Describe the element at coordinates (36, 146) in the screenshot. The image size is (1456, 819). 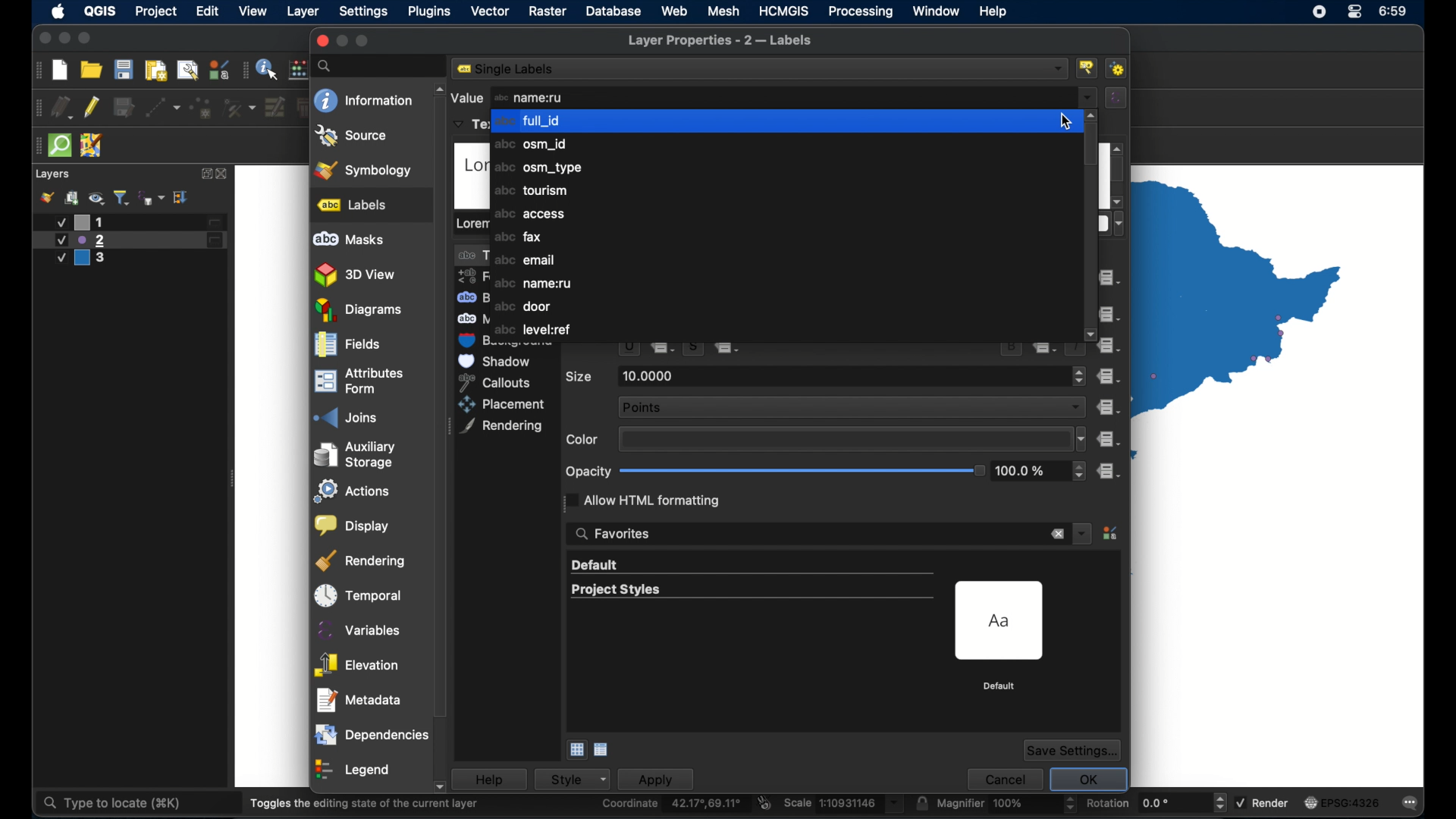
I see `drag handle` at that location.